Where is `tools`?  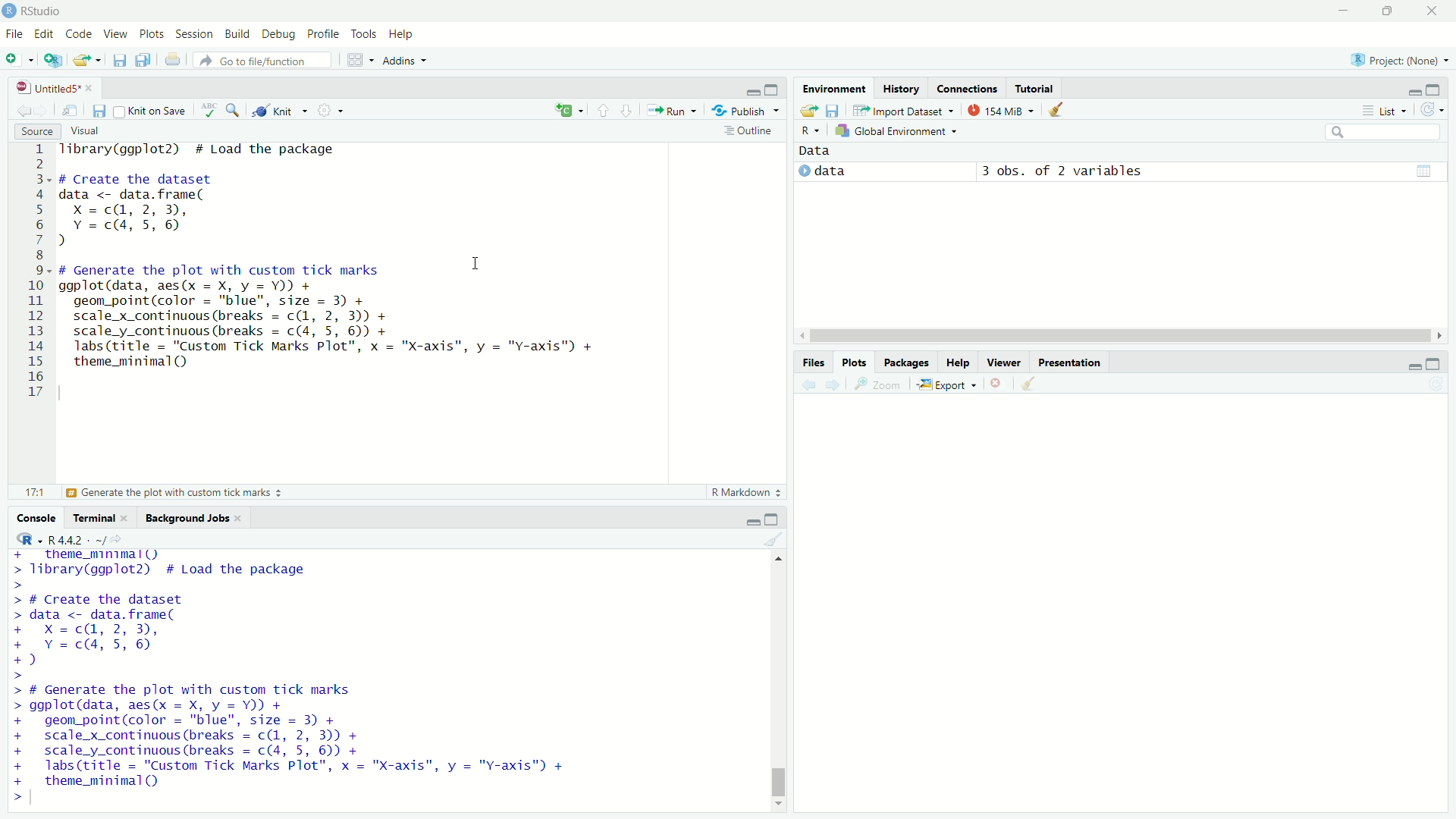
tools is located at coordinates (366, 33).